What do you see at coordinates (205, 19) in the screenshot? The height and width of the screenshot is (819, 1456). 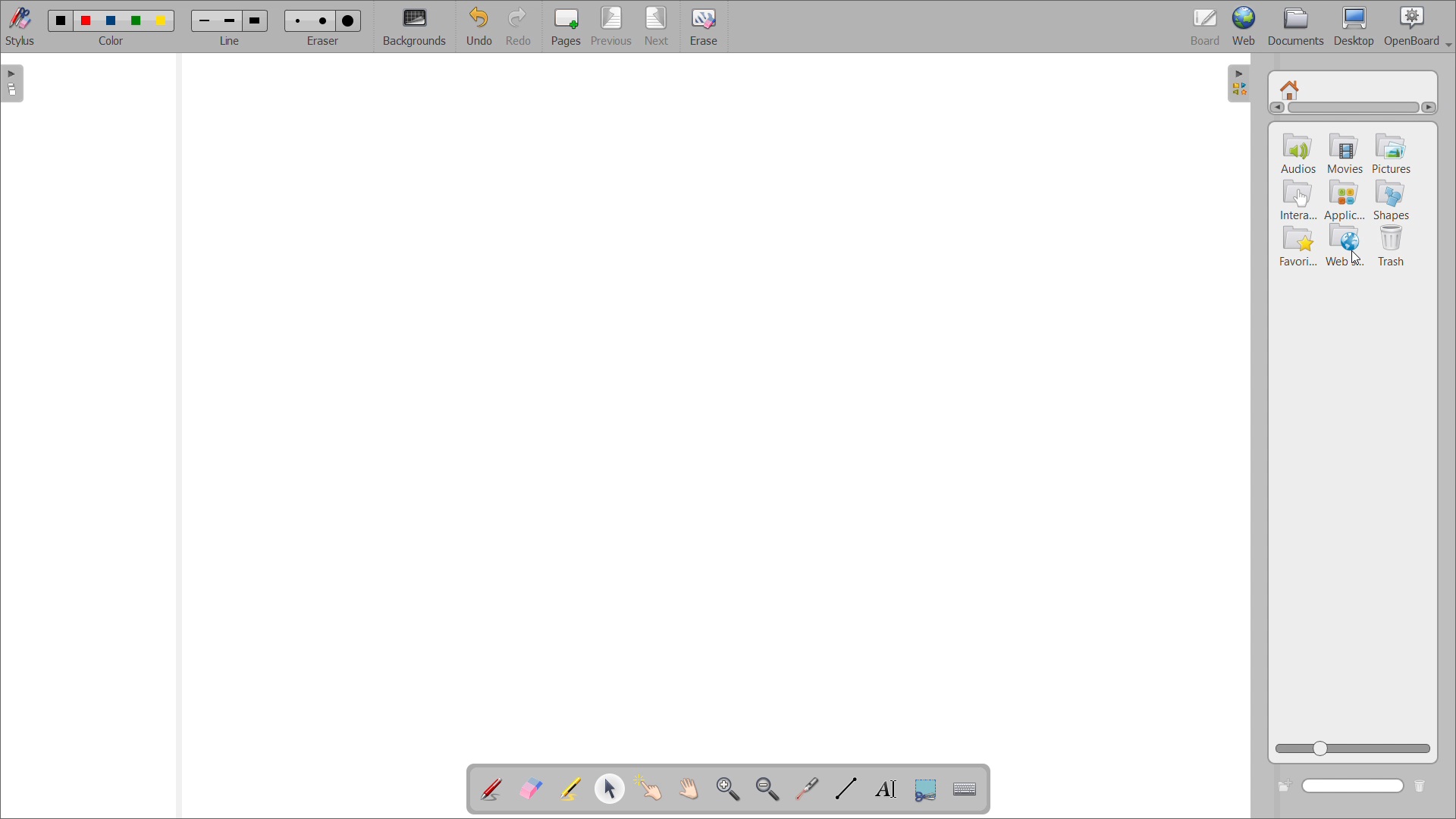 I see `Small line` at bounding box center [205, 19].